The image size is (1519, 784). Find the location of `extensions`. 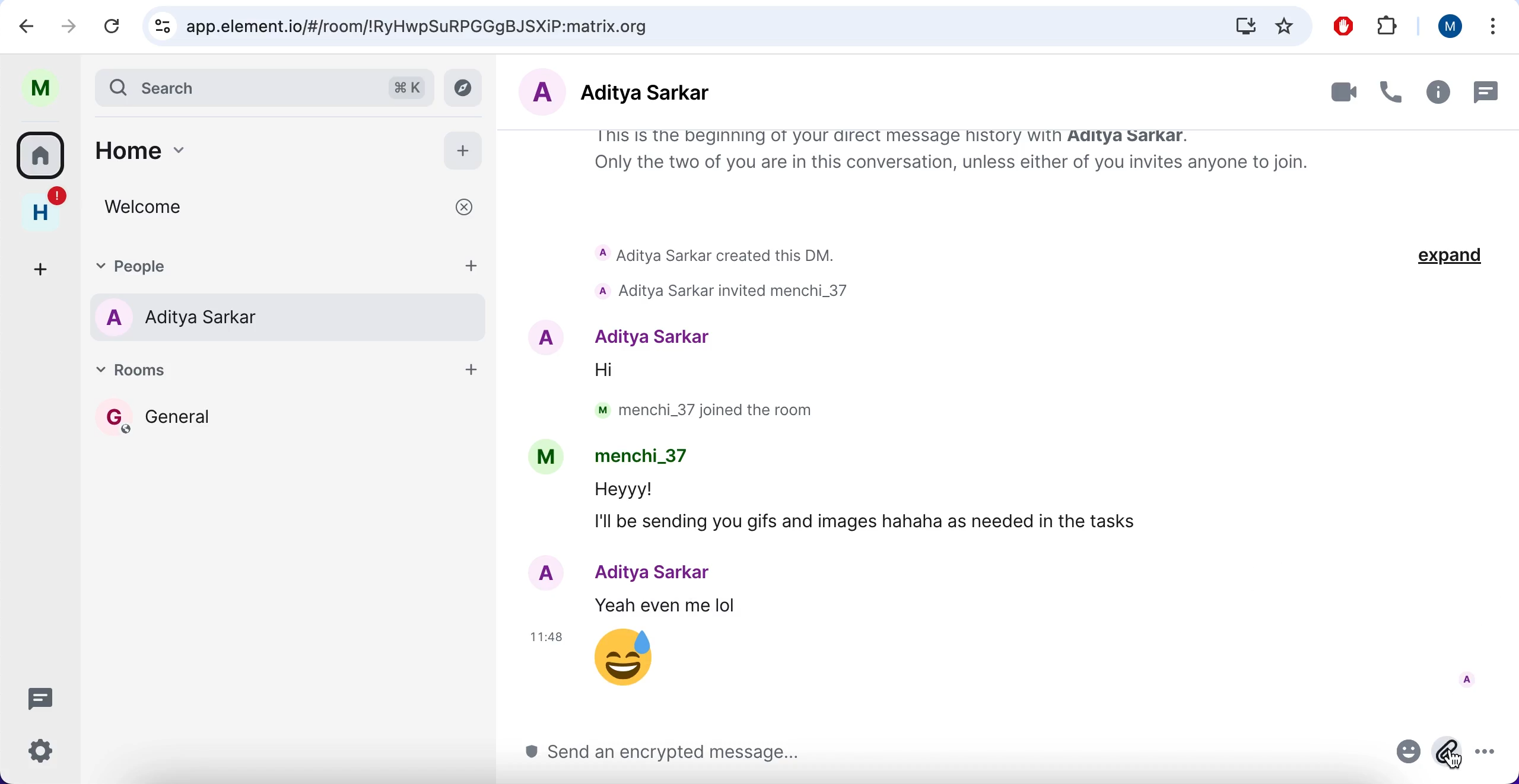

extensions is located at coordinates (1390, 25).